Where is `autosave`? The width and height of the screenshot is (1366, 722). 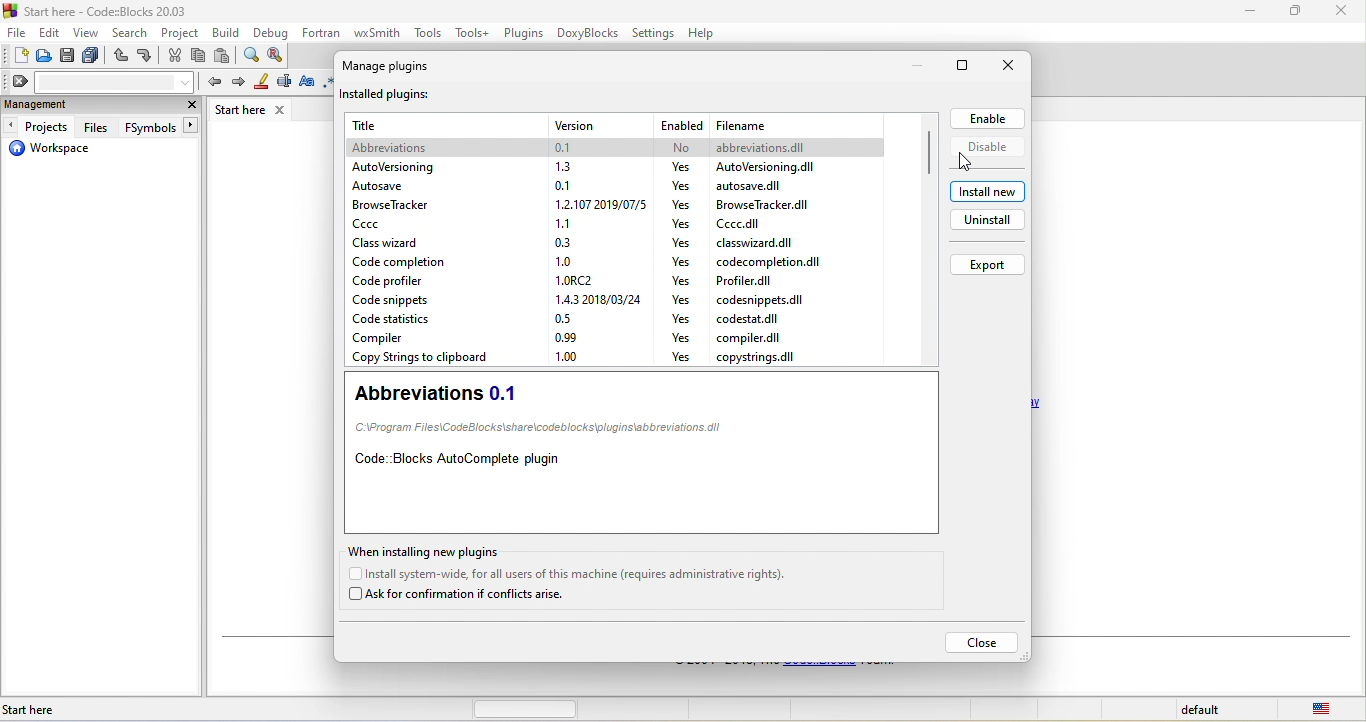
autosave is located at coordinates (394, 188).